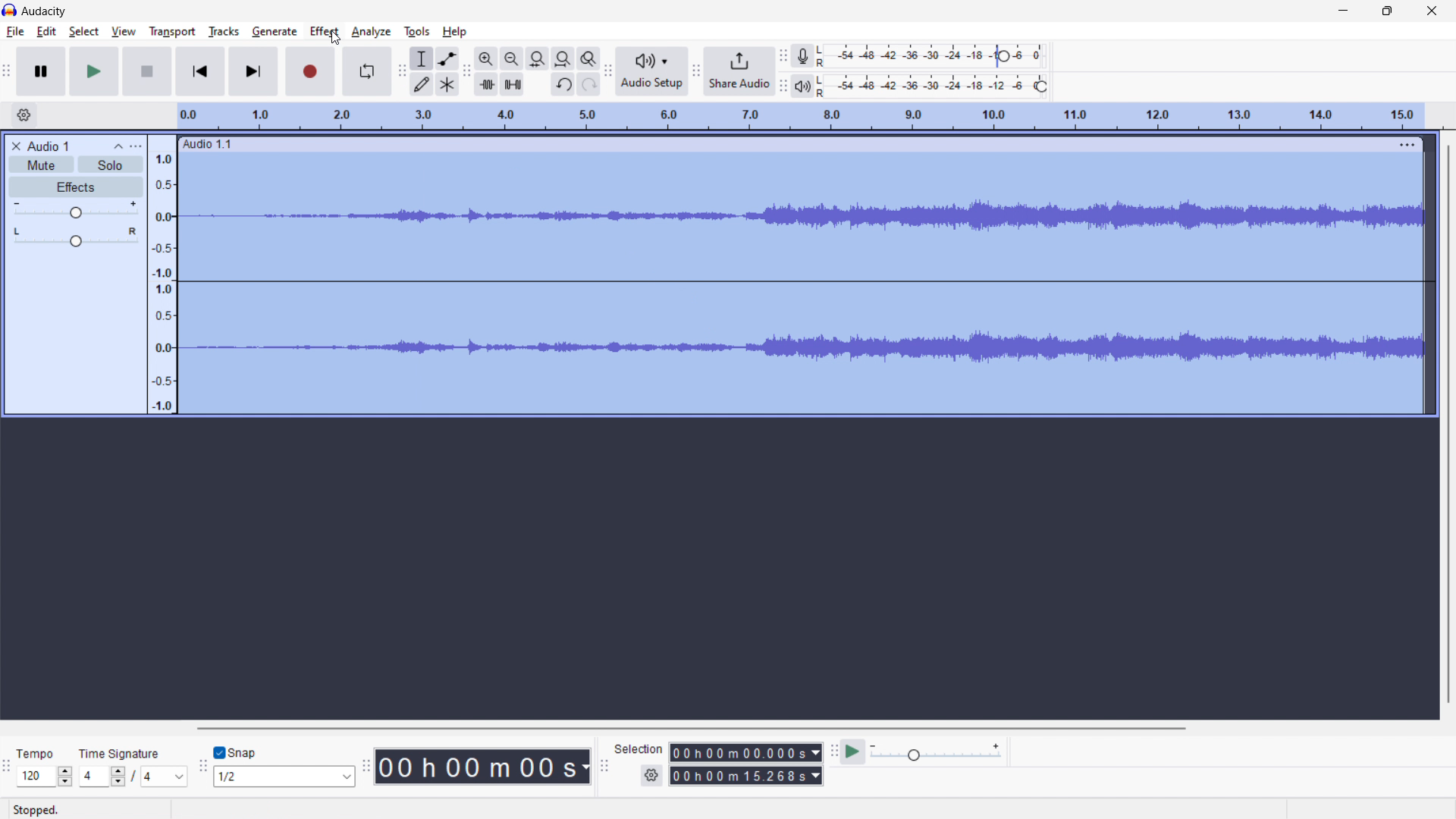 This screenshot has height=819, width=1456. I want to click on pause, so click(41, 72).